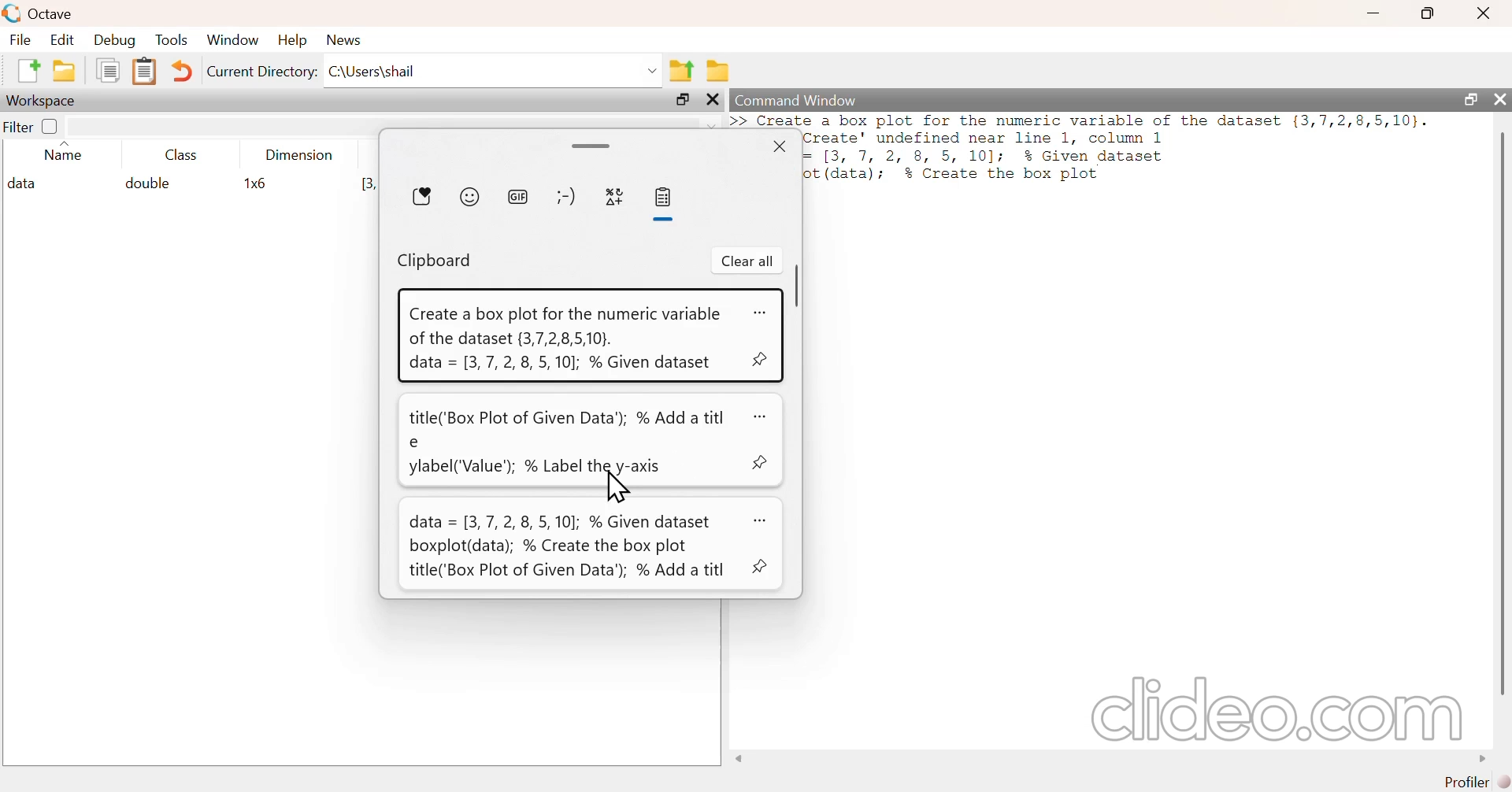 The height and width of the screenshot is (792, 1512). Describe the element at coordinates (433, 263) in the screenshot. I see `clipboard` at that location.